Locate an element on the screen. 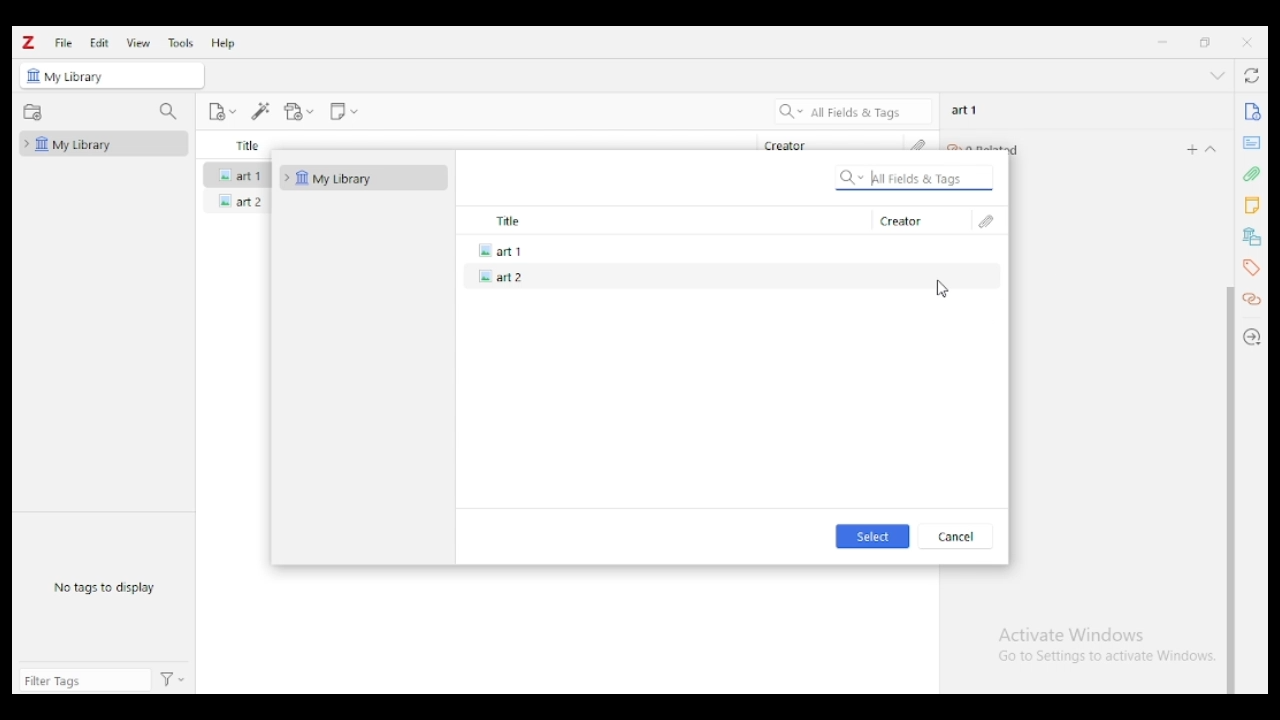 The image size is (1280, 720). filter collection is located at coordinates (170, 112).